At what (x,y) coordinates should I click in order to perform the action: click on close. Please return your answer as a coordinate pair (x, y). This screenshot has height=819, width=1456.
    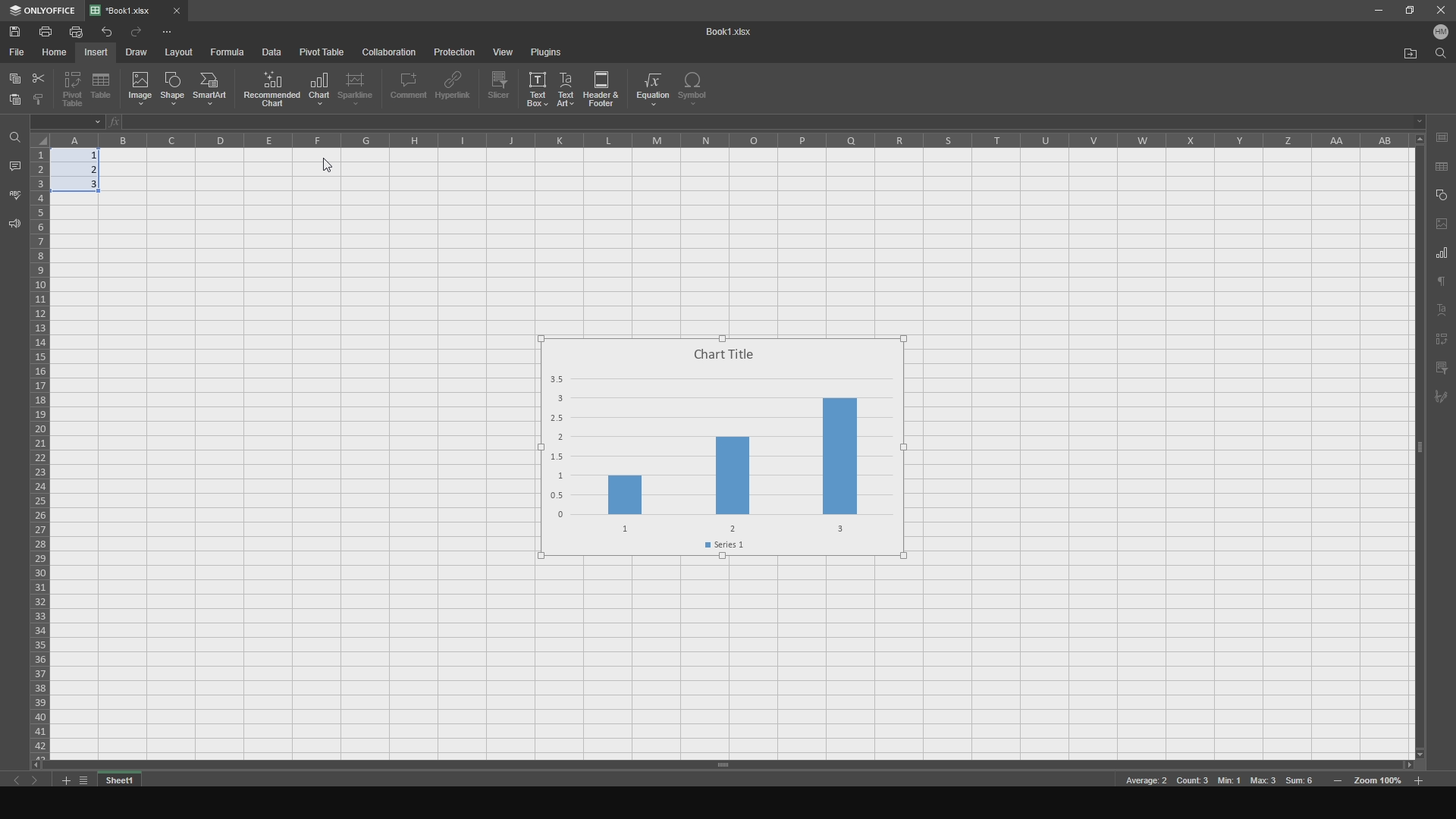
    Looking at the image, I should click on (1439, 11).